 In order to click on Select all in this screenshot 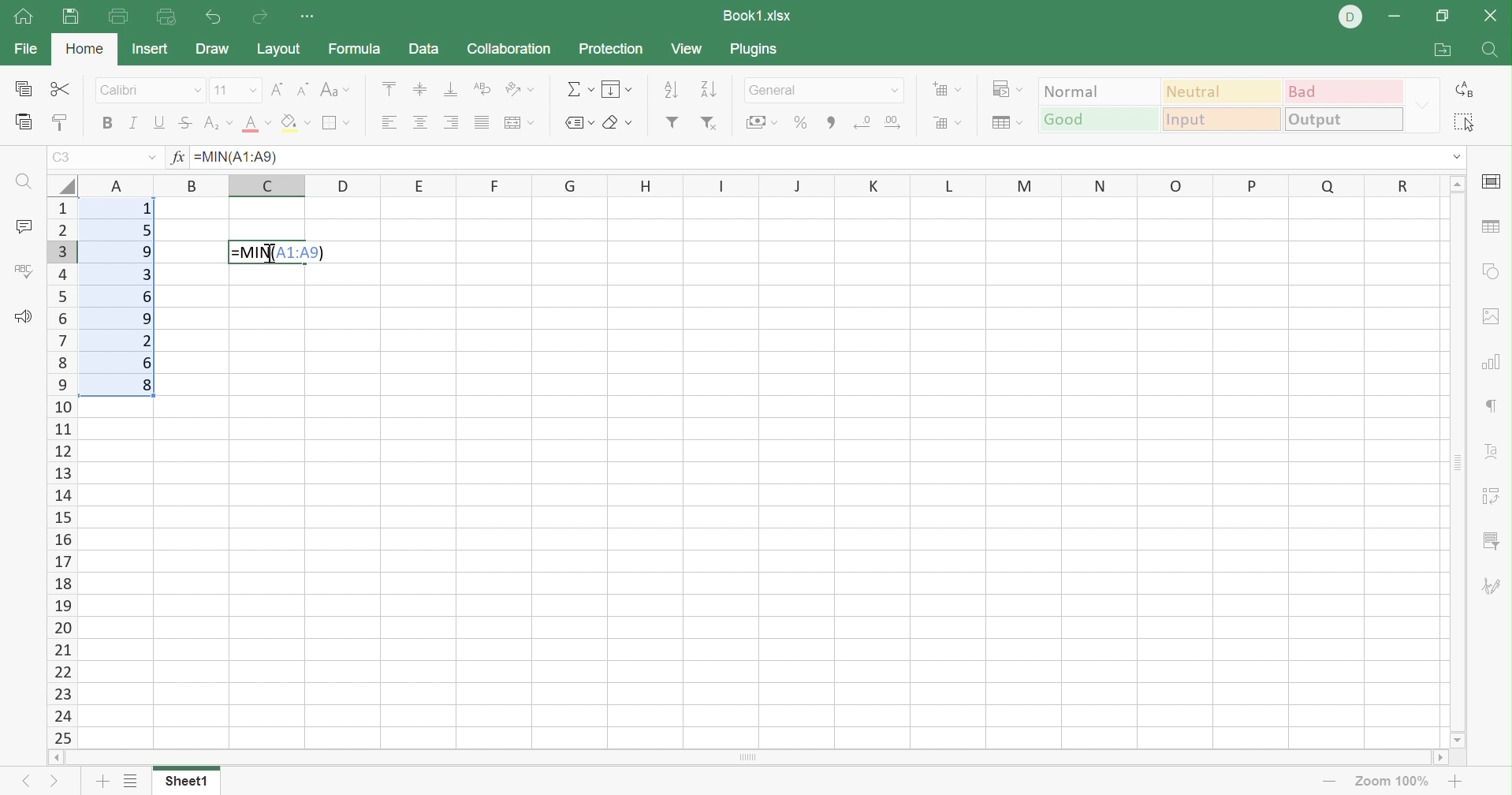, I will do `click(1467, 123)`.